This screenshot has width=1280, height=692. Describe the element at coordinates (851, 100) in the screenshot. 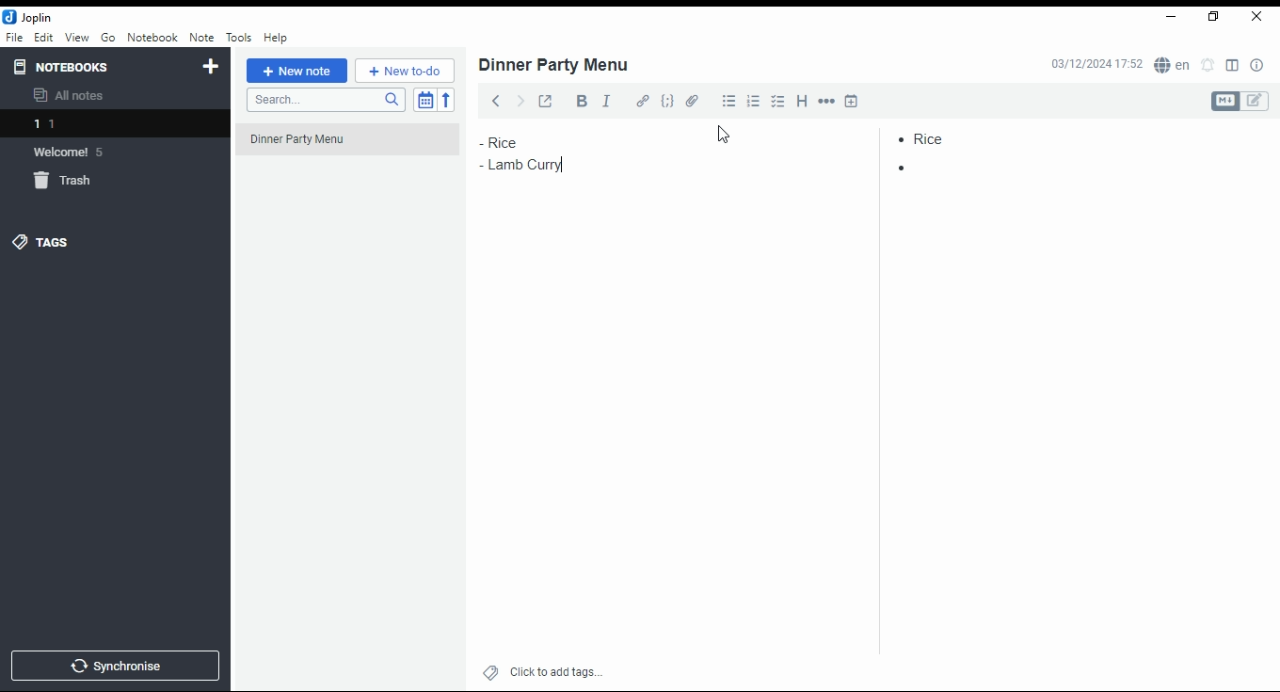

I see `insert time` at that location.